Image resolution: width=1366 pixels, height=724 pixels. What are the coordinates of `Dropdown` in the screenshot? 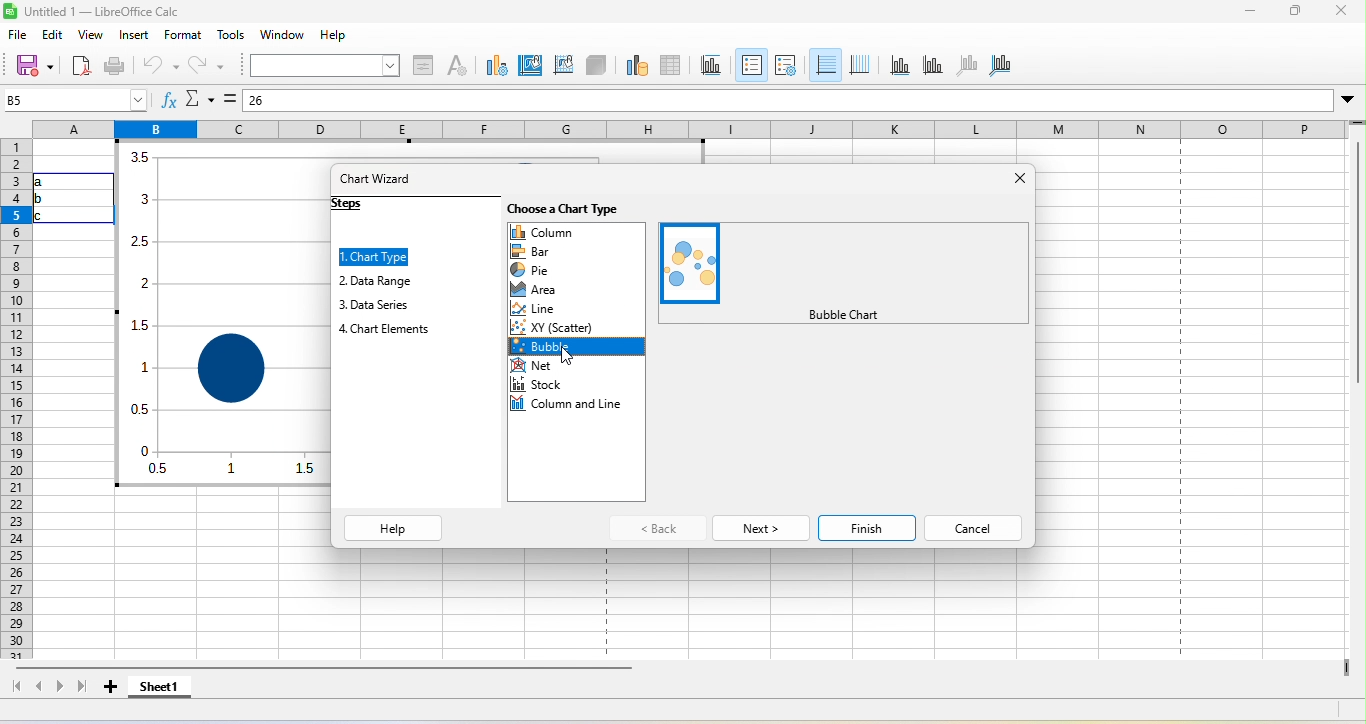 It's located at (1349, 100).